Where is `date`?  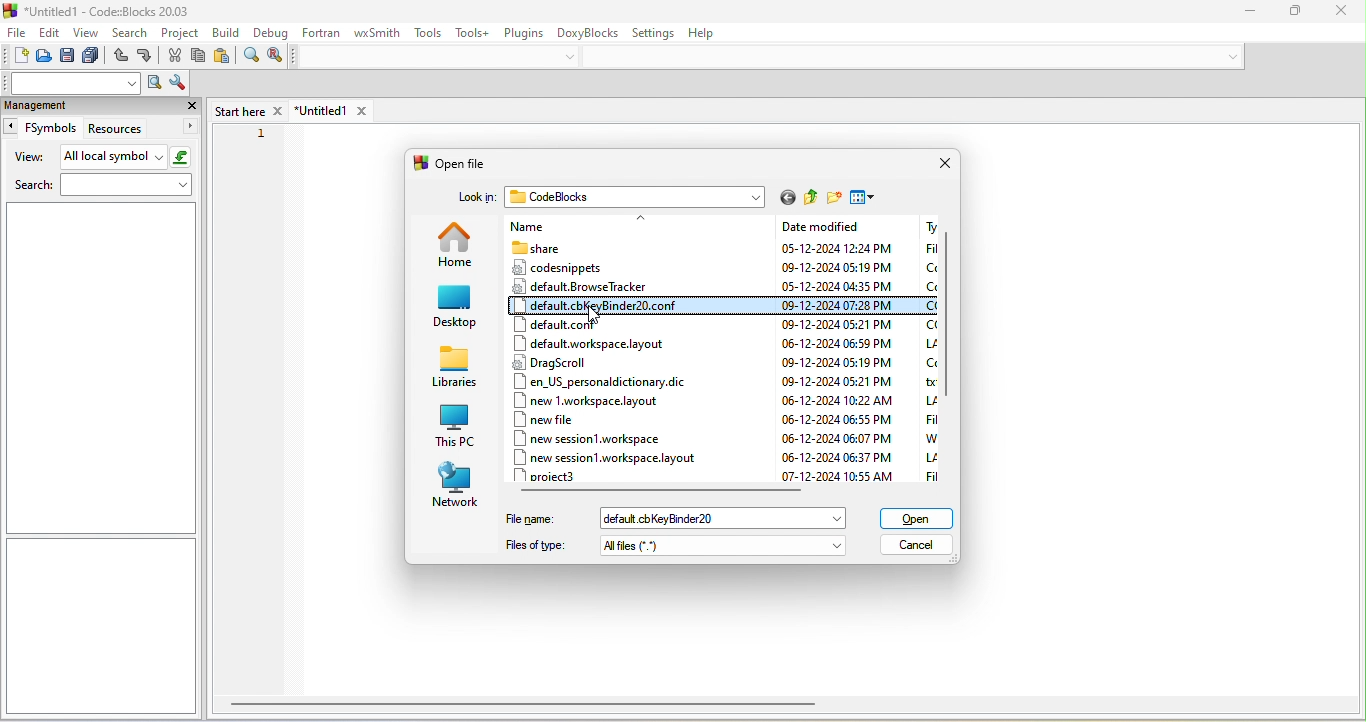 date is located at coordinates (837, 266).